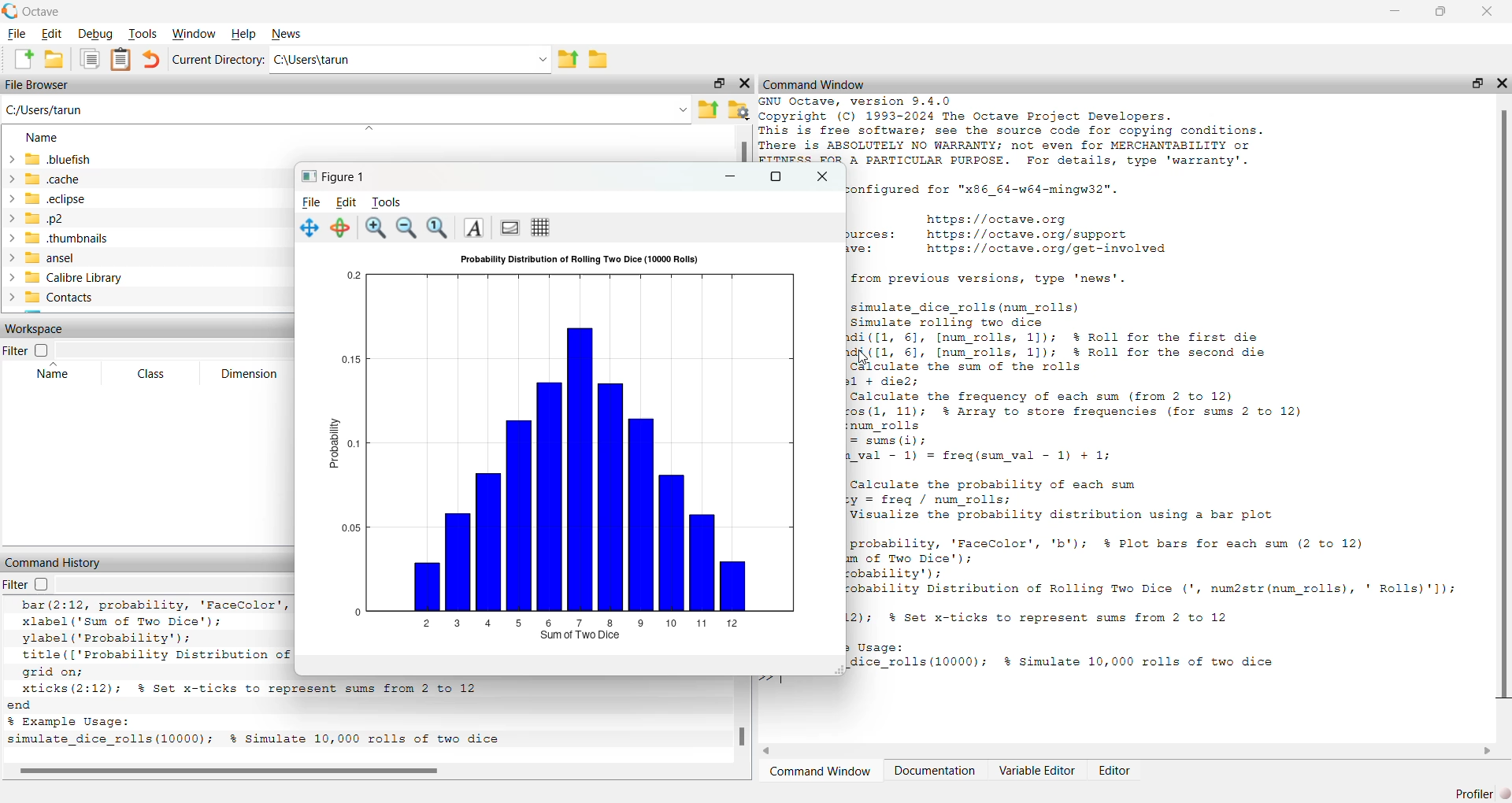 The image size is (1512, 803). Describe the element at coordinates (50, 200) in the screenshot. I see `eclipse` at that location.